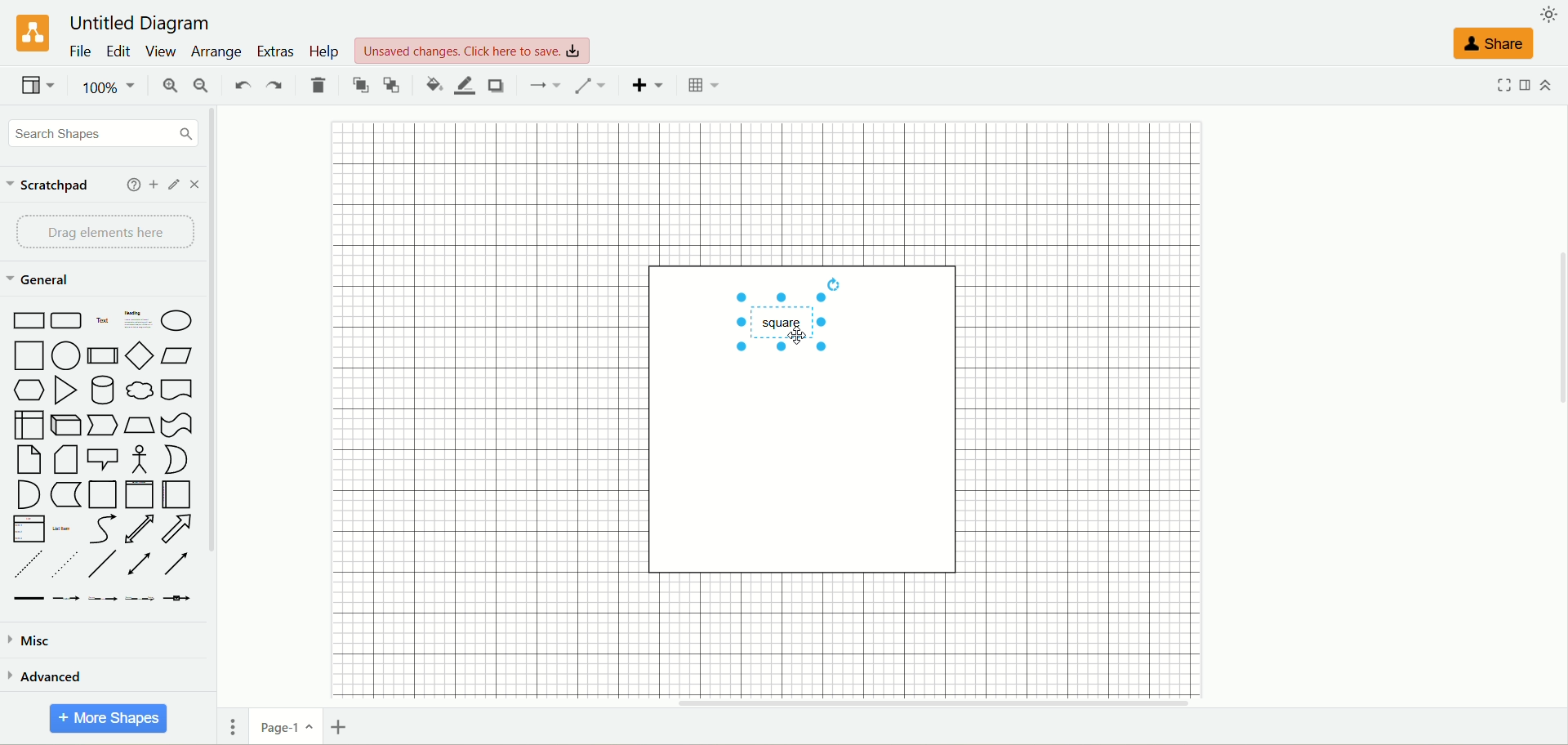 The width and height of the screenshot is (1568, 745). What do you see at coordinates (322, 51) in the screenshot?
I see `help` at bounding box center [322, 51].